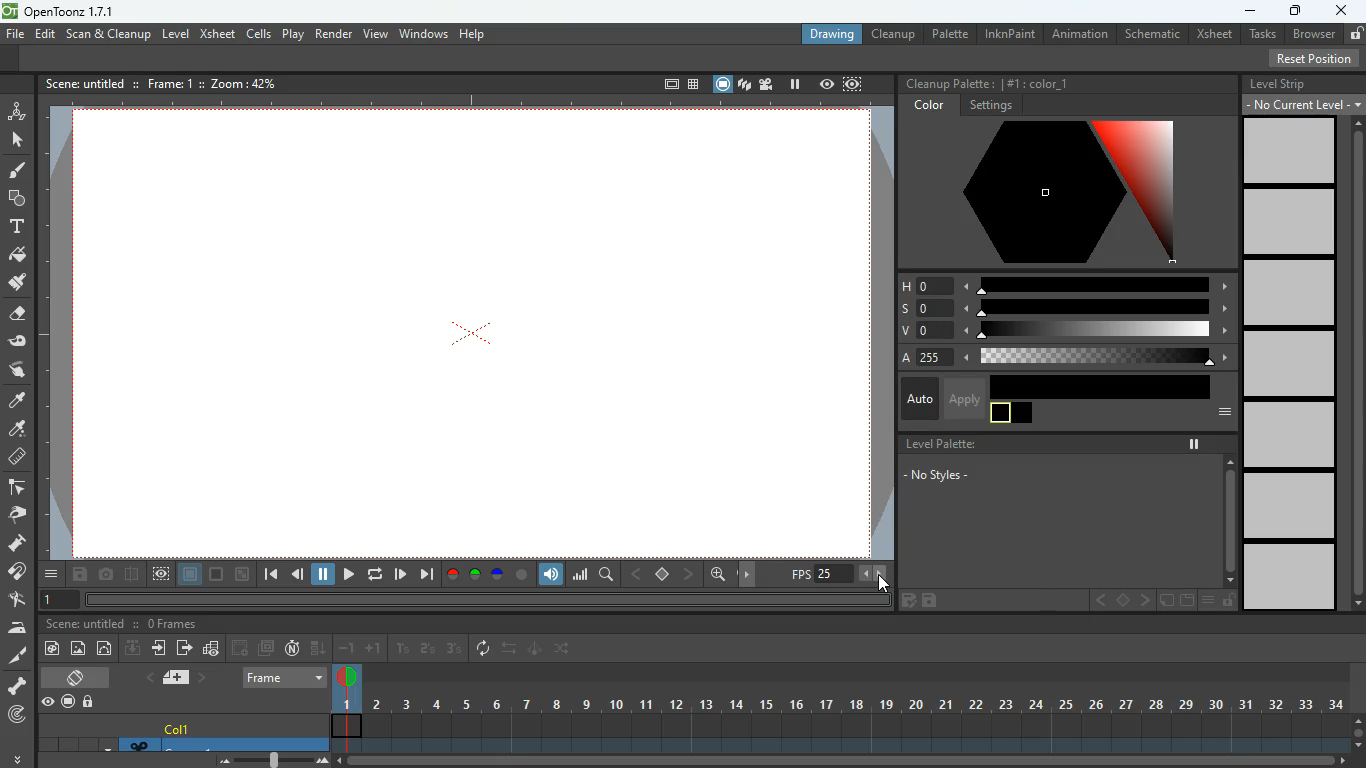  I want to click on s, so click(1065, 309).